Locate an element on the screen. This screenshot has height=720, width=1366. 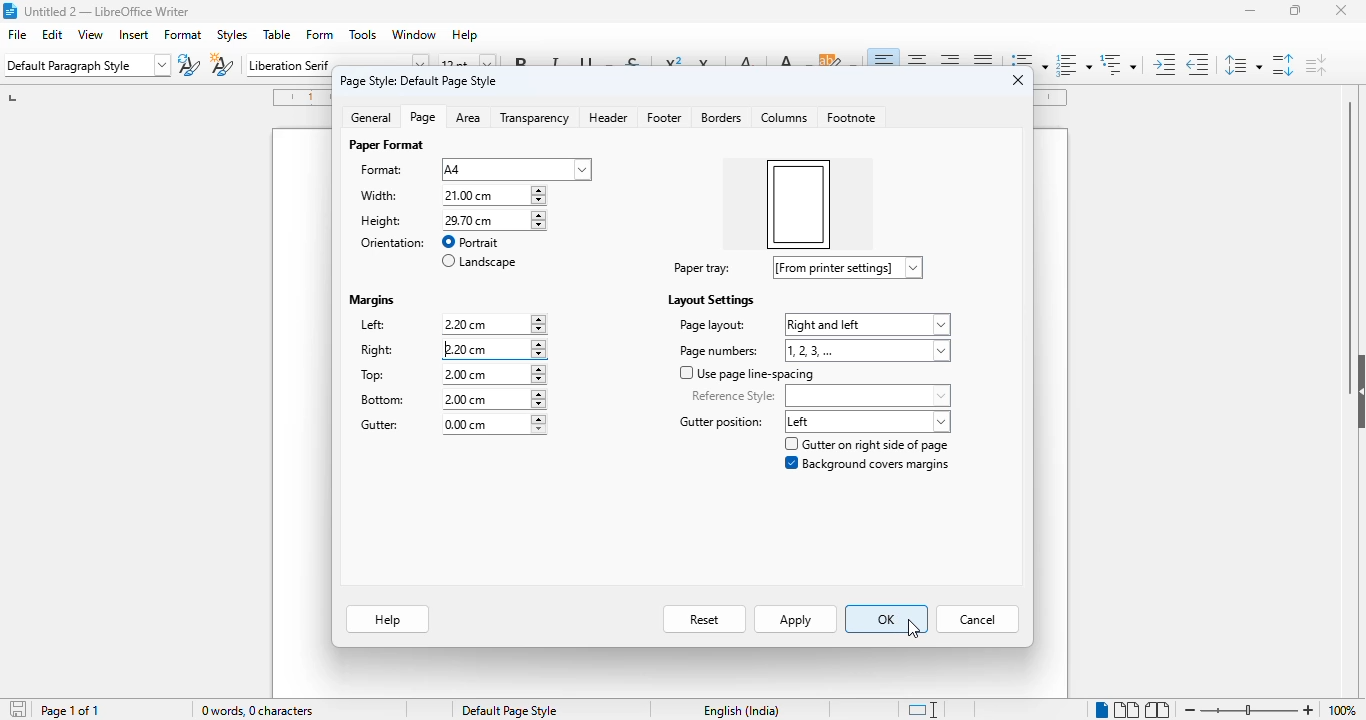
page layout options is located at coordinates (869, 323).